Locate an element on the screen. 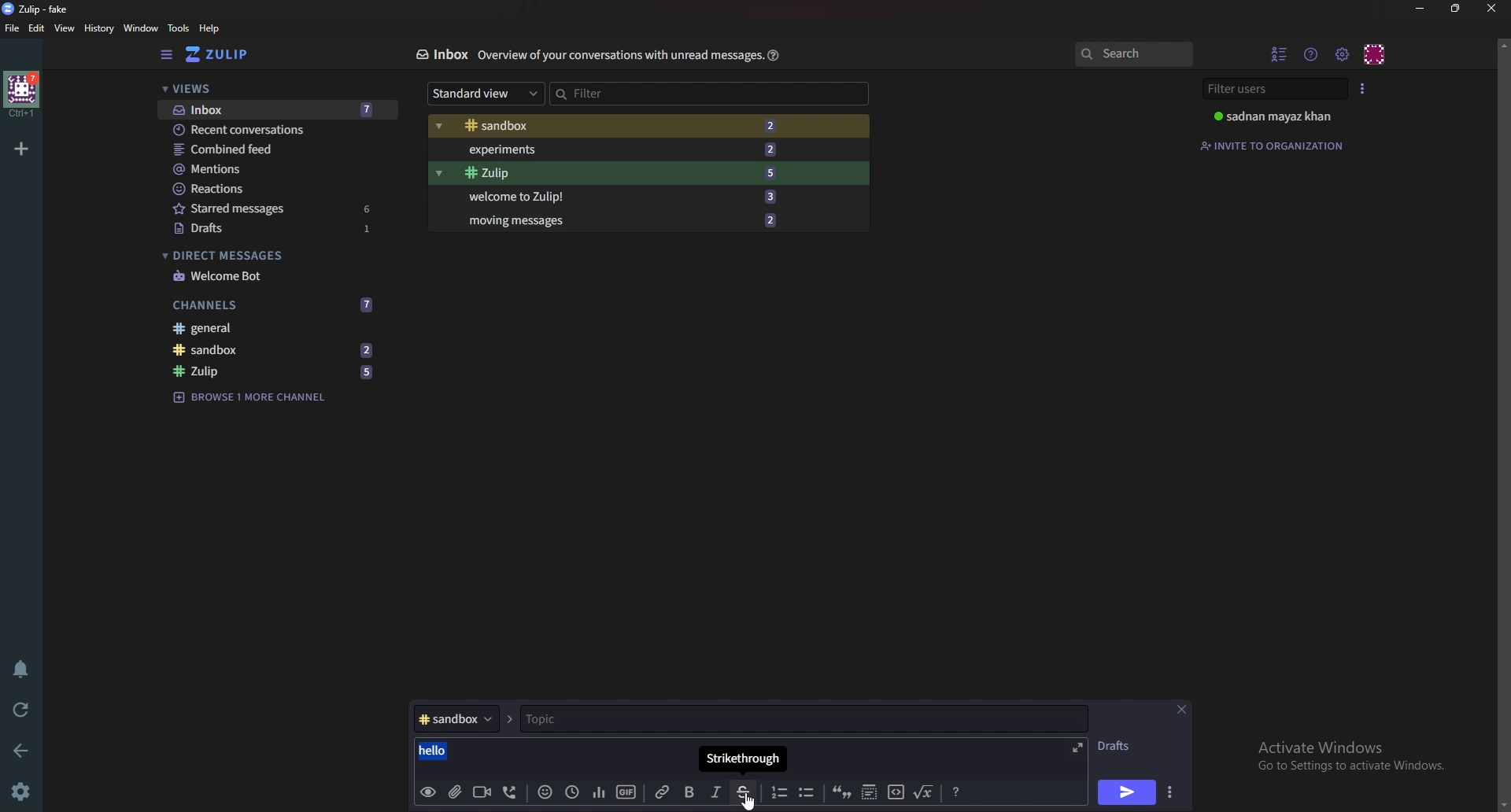  preview is located at coordinates (428, 794).